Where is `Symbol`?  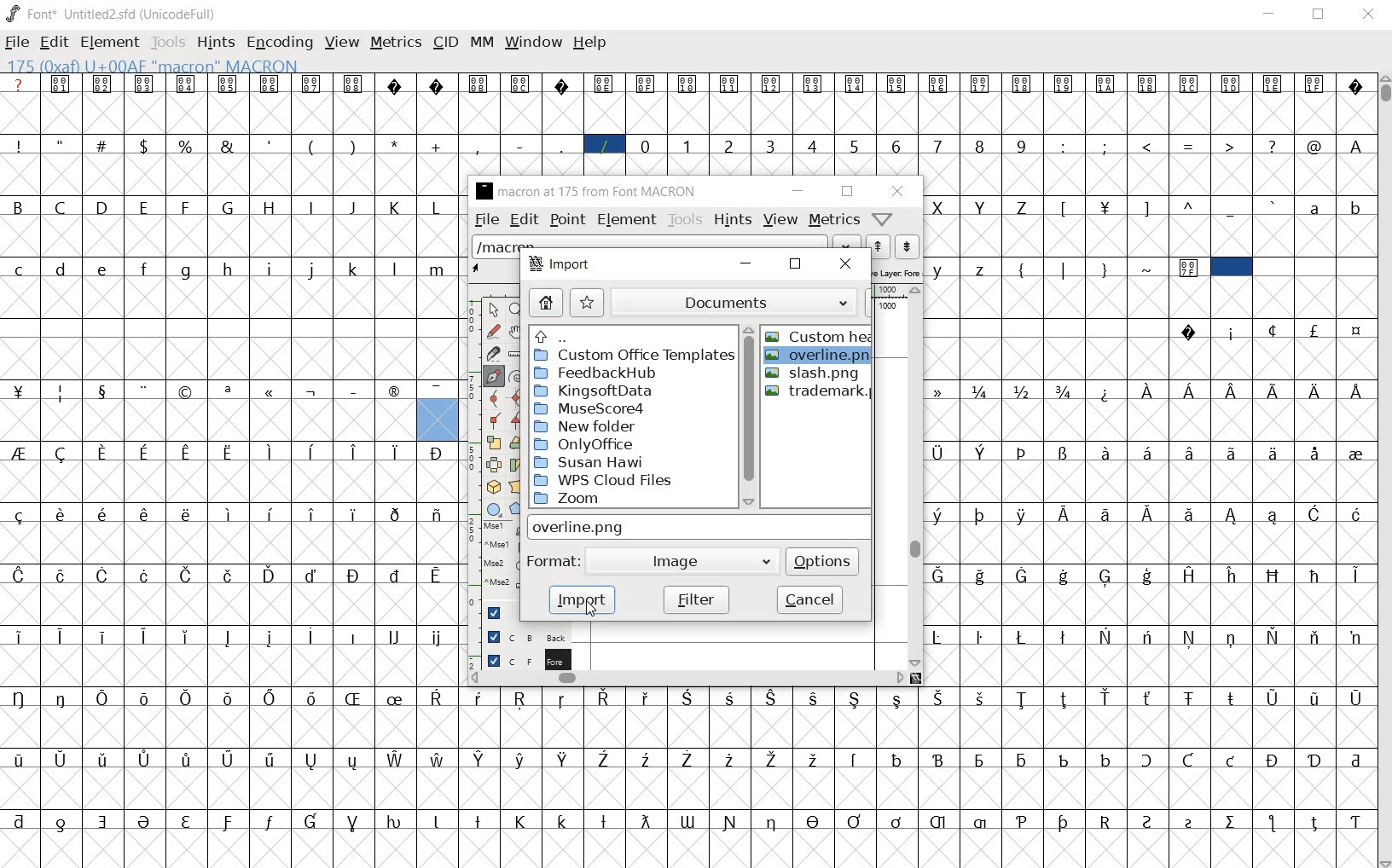 Symbol is located at coordinates (525, 698).